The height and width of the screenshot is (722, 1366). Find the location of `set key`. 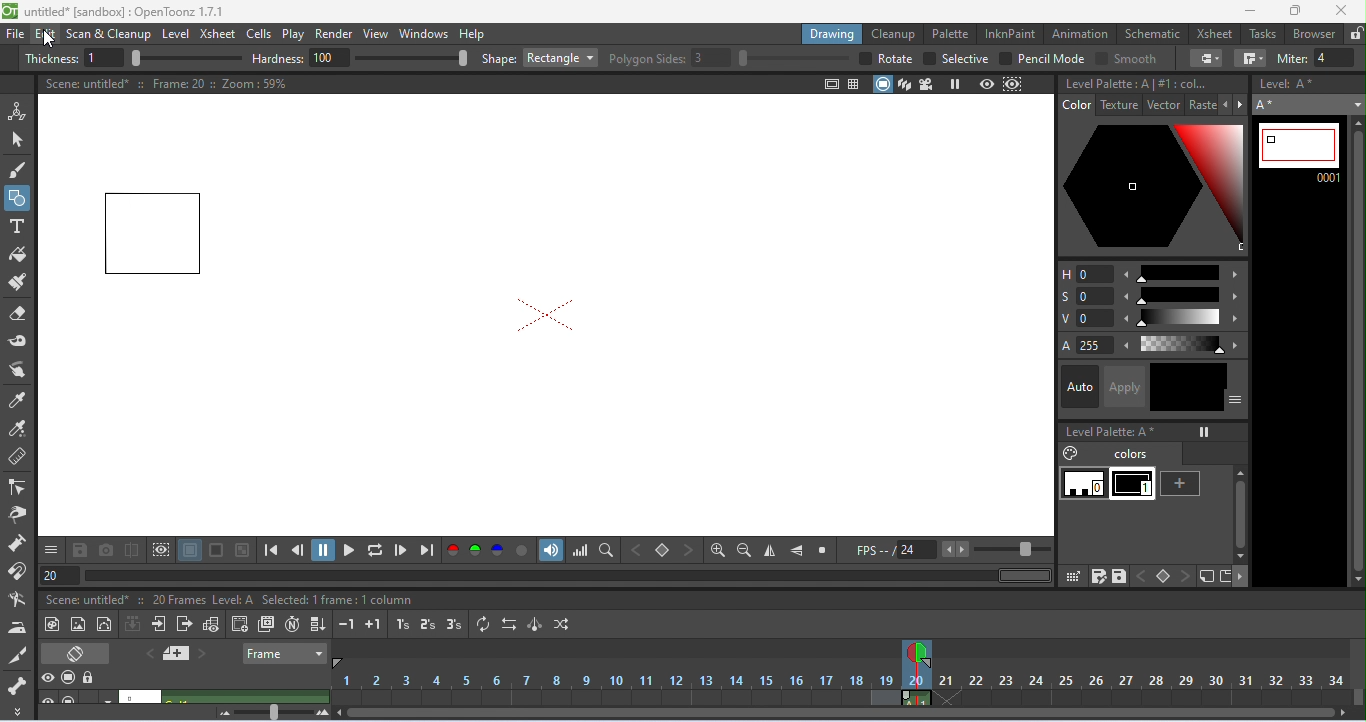

set key is located at coordinates (1160, 575).